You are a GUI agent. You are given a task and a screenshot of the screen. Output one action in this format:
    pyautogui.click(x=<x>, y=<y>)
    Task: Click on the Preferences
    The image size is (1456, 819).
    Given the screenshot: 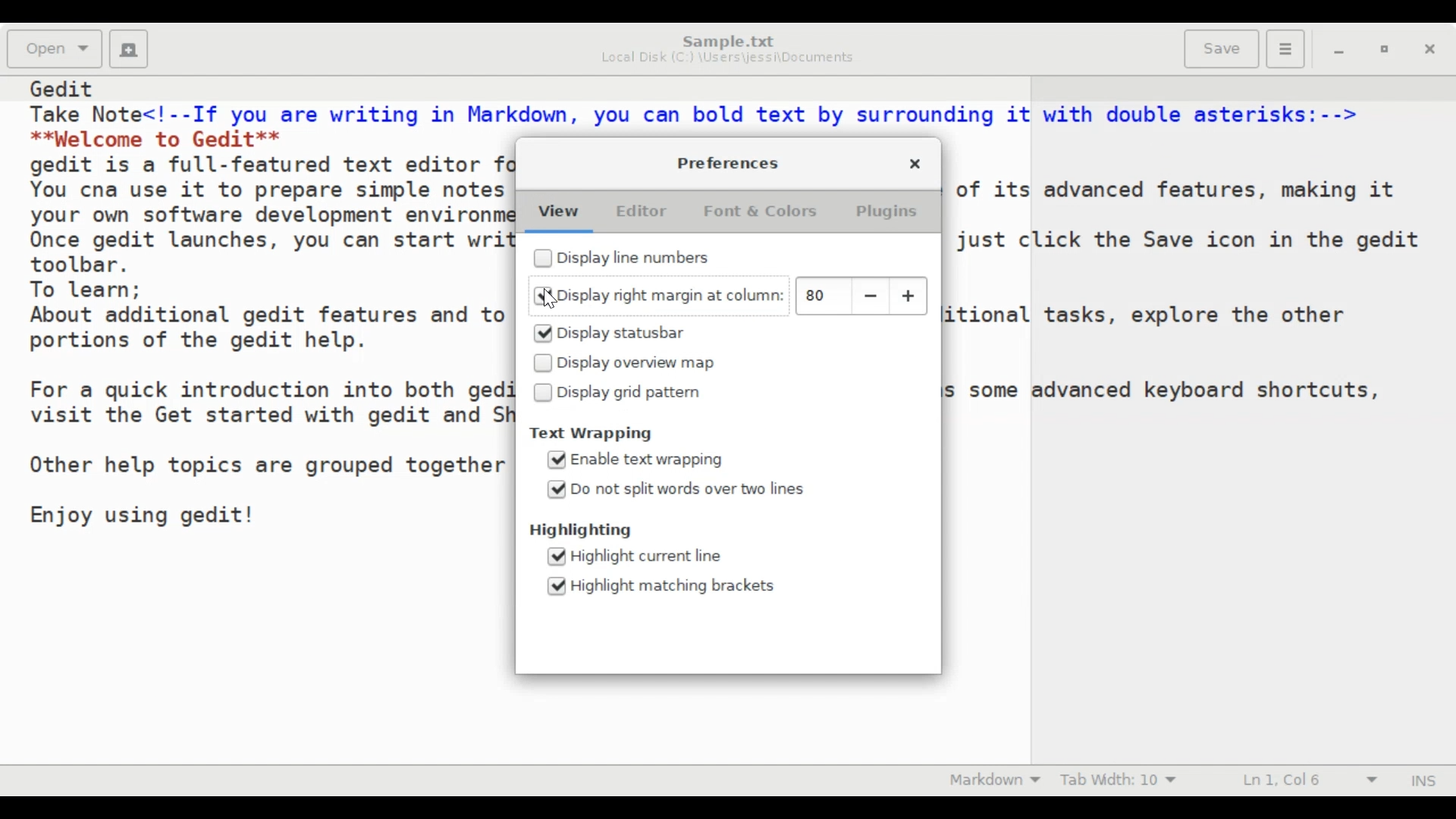 What is the action you would take?
    pyautogui.click(x=730, y=162)
    